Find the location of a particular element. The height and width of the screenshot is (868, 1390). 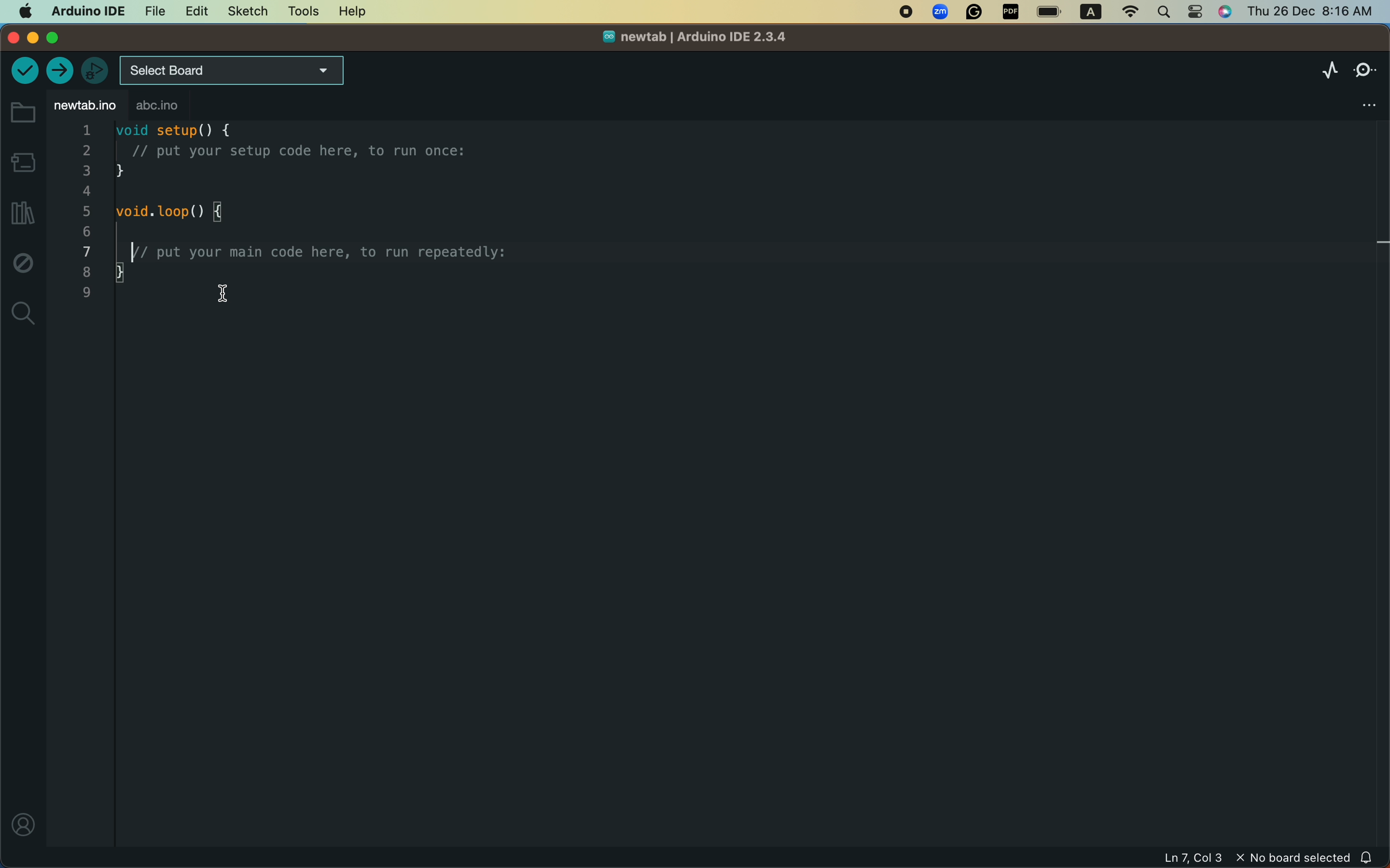

file is located at coordinates (152, 10).